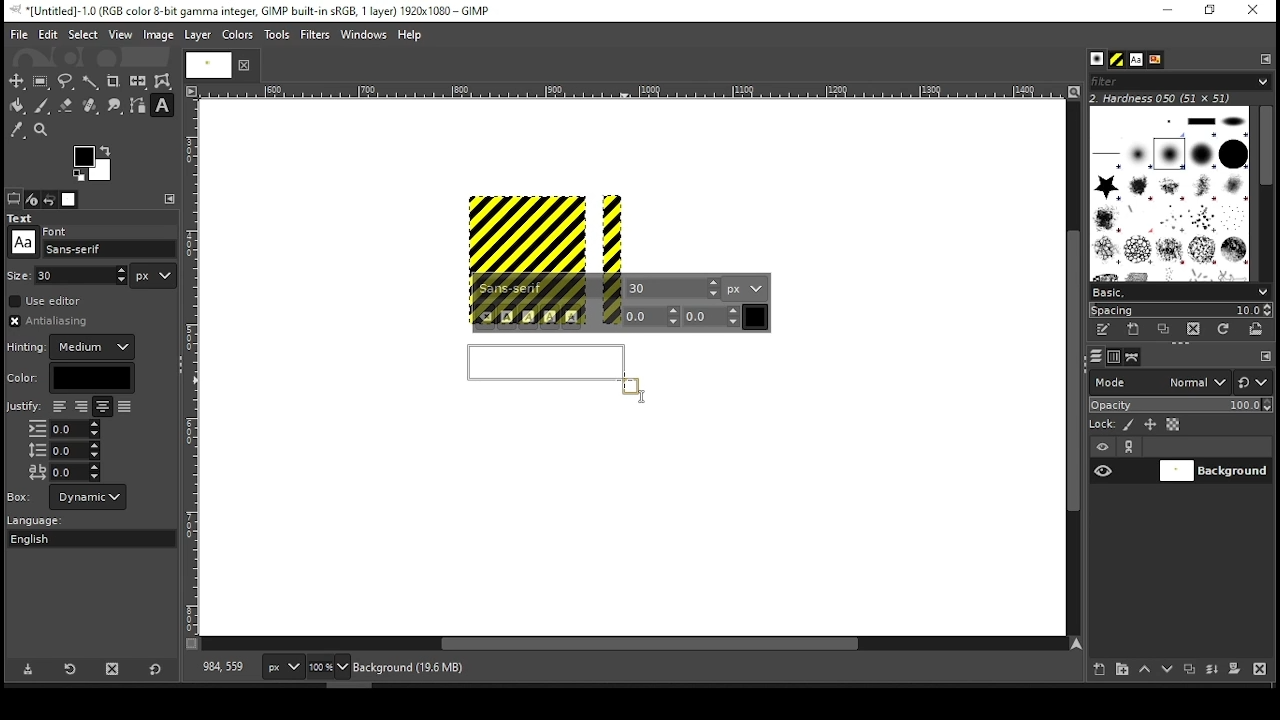  What do you see at coordinates (1135, 356) in the screenshot?
I see `paths` at bounding box center [1135, 356].